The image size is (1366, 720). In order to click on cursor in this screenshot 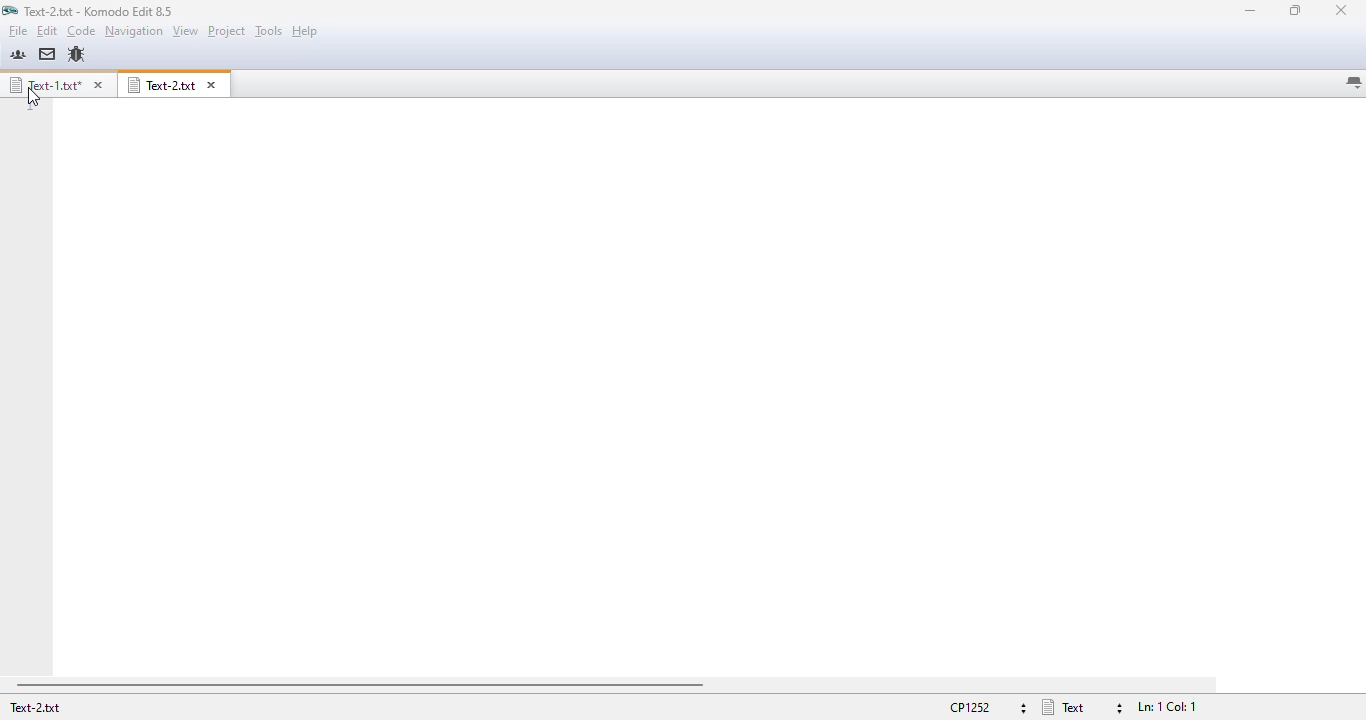, I will do `click(33, 96)`.